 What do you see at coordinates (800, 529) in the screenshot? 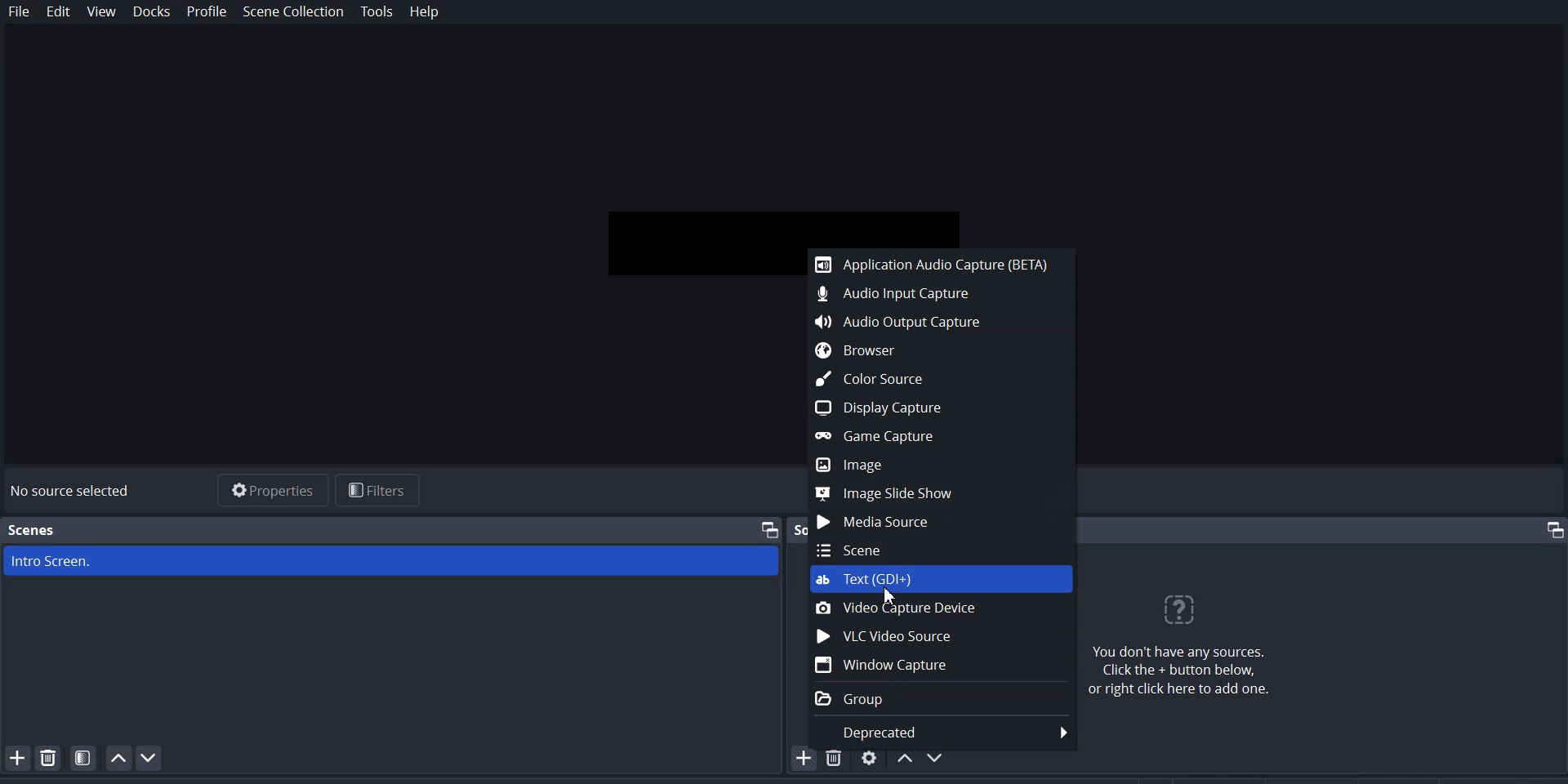
I see `Source` at bounding box center [800, 529].